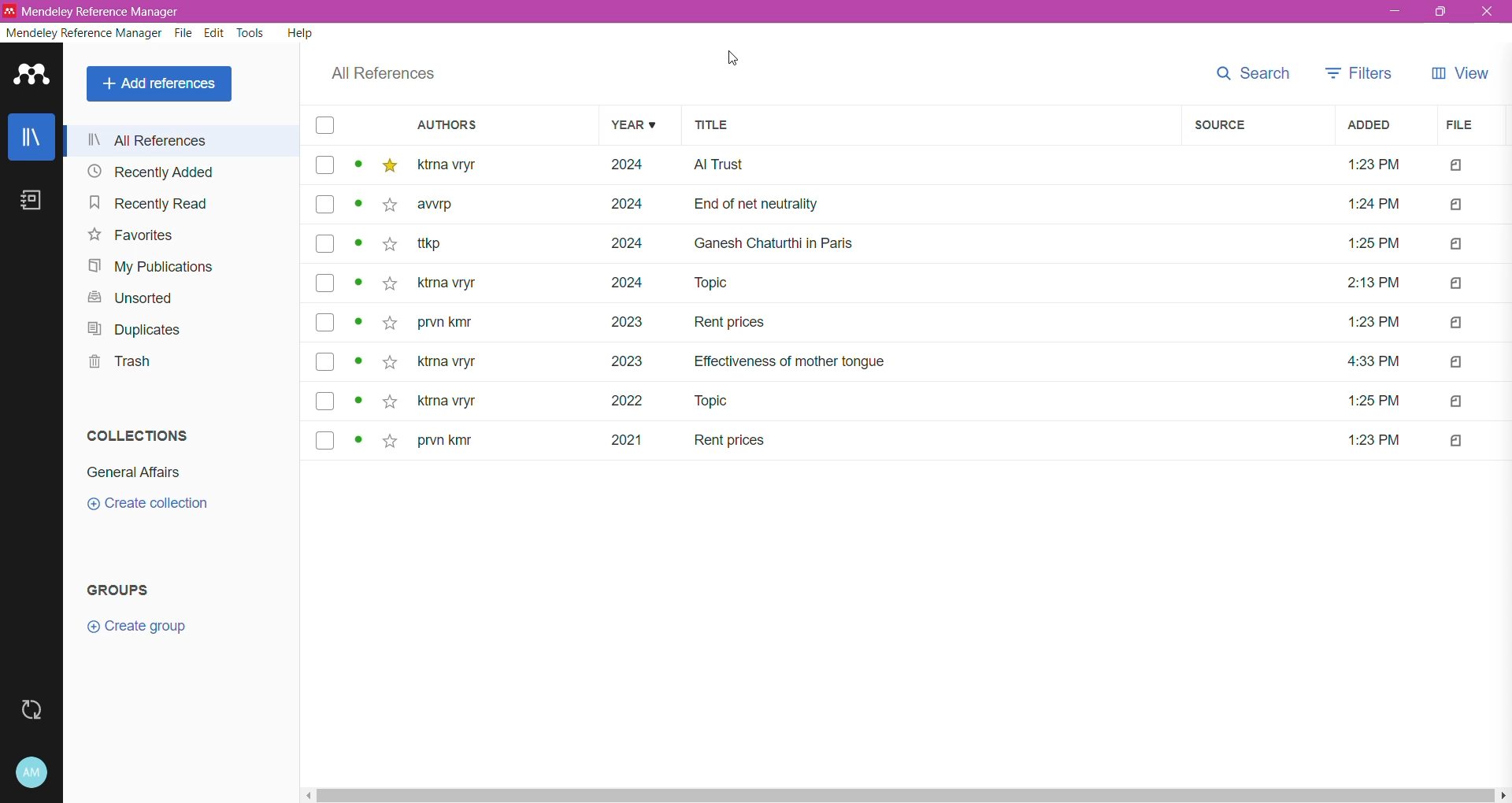 This screenshot has width=1512, height=803. What do you see at coordinates (628, 321) in the screenshot?
I see `2023` at bounding box center [628, 321].